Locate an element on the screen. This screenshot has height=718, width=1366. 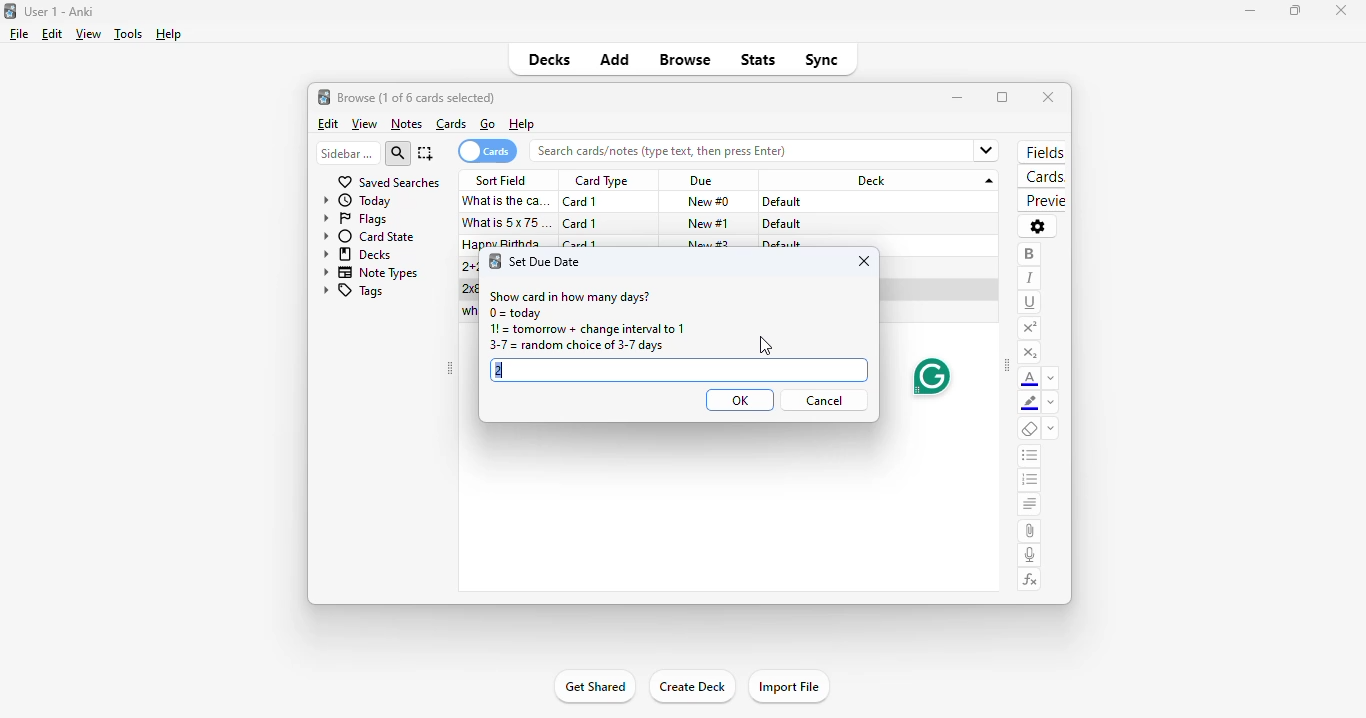
0 = today is located at coordinates (516, 313).